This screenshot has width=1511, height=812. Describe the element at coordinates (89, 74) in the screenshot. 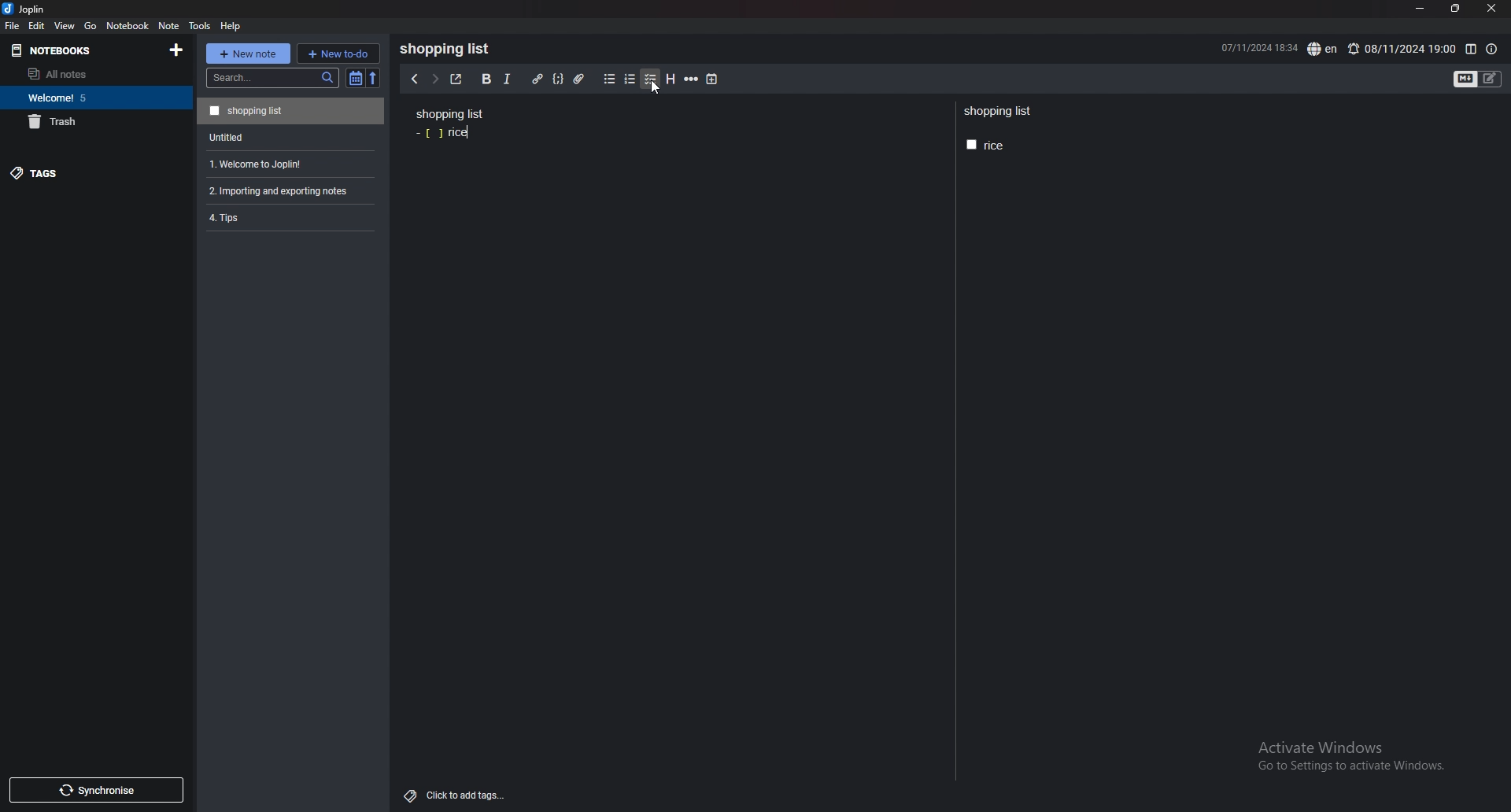

I see `all notes` at that location.